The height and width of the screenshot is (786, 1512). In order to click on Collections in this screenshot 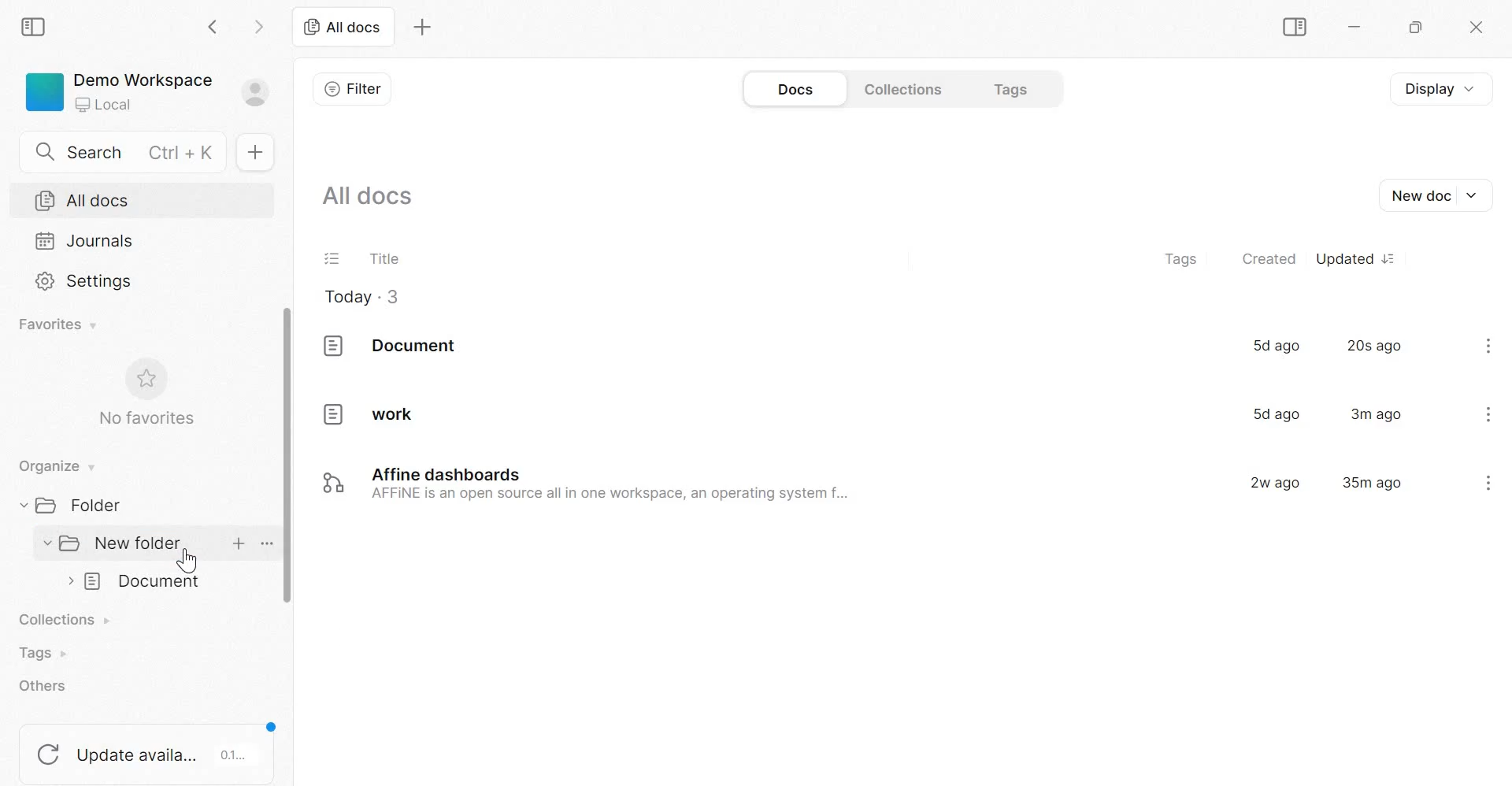, I will do `click(900, 89)`.